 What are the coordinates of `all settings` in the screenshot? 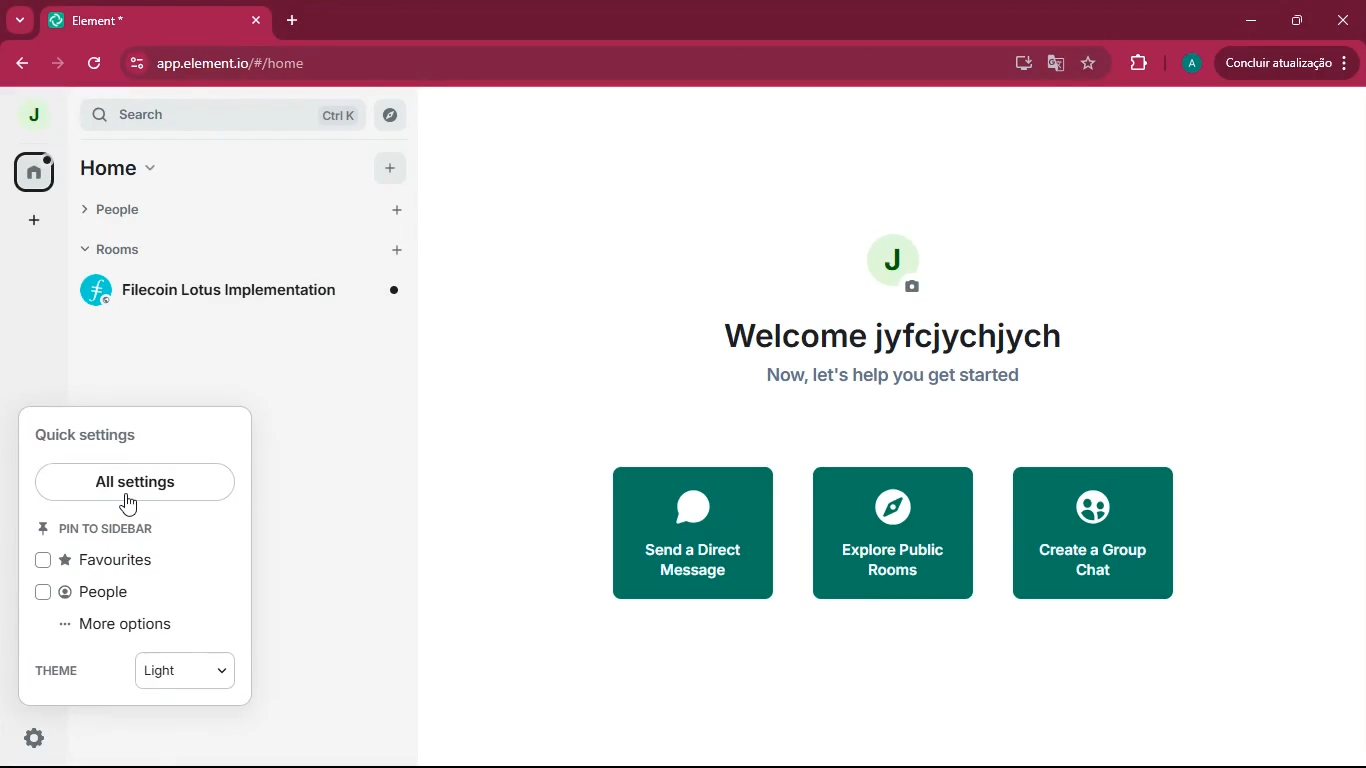 It's located at (139, 485).